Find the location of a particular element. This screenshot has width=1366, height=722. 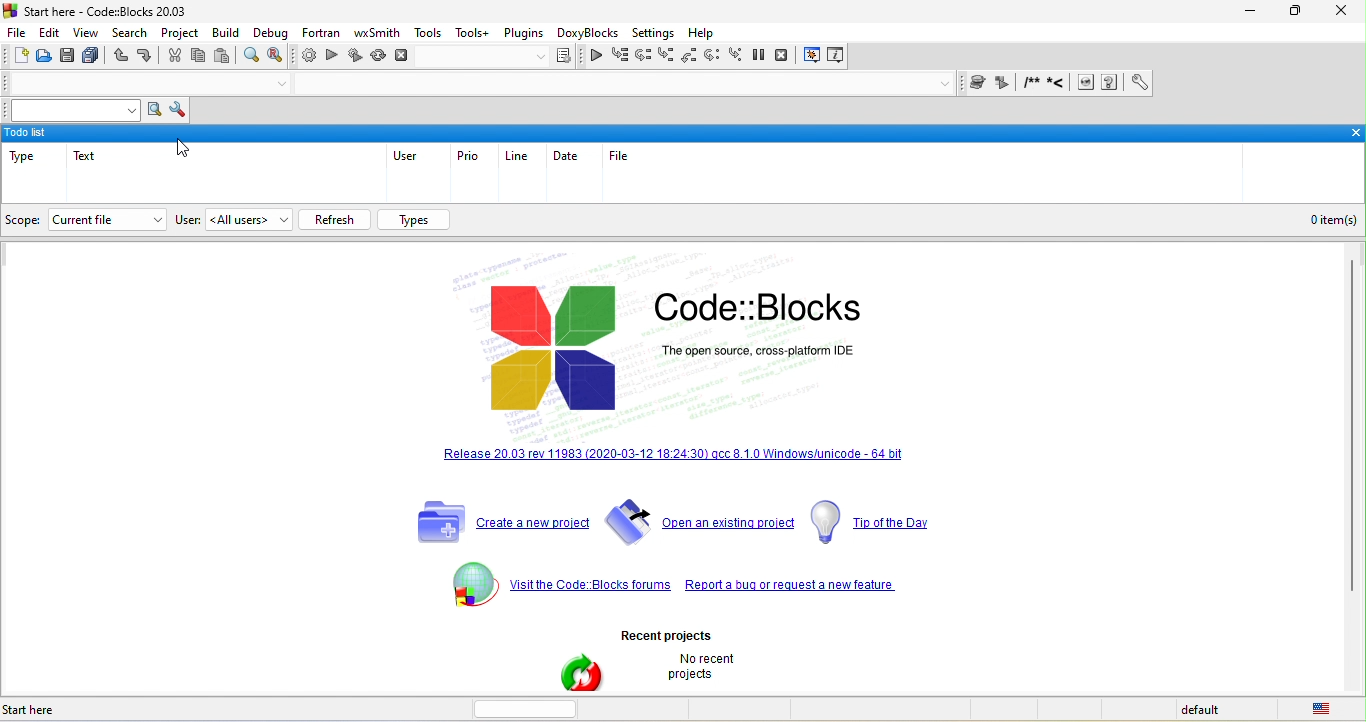

undo is located at coordinates (120, 58).